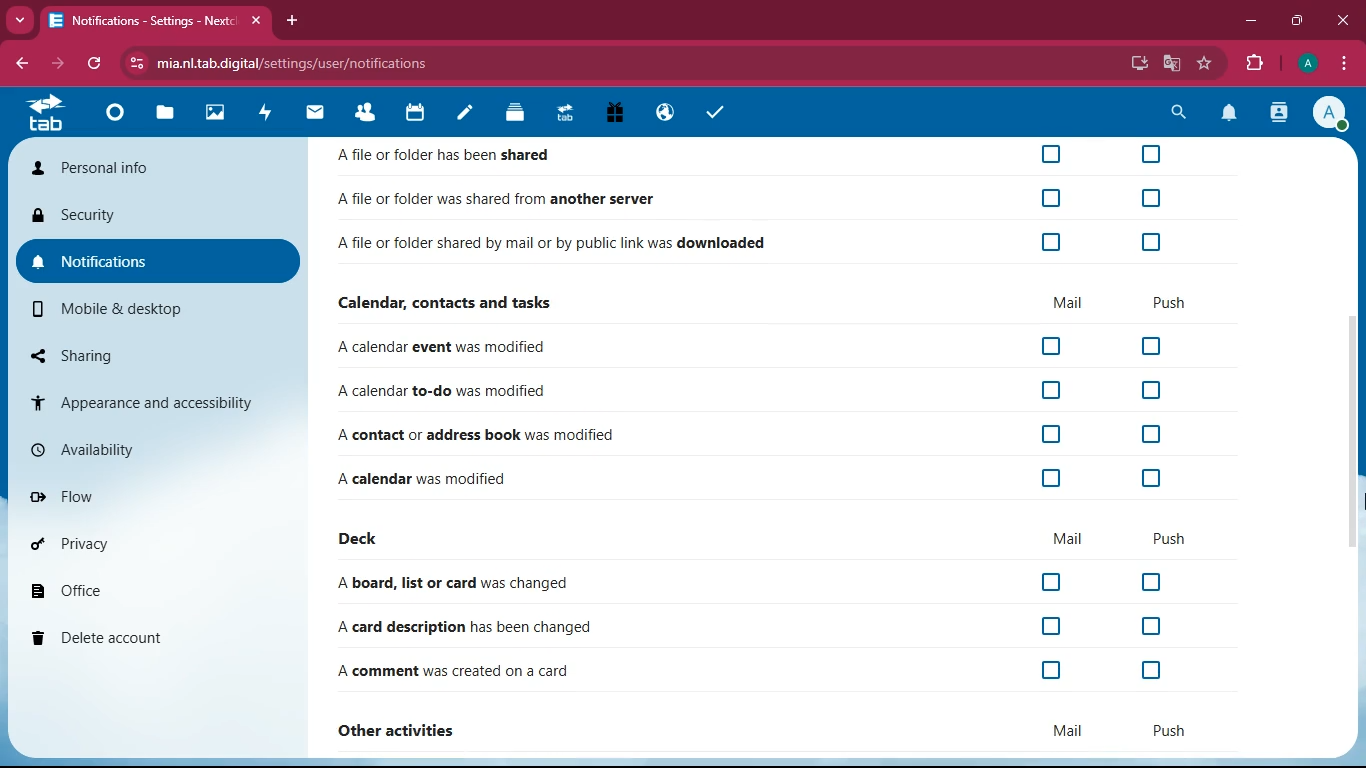 Image resolution: width=1366 pixels, height=768 pixels. What do you see at coordinates (459, 393) in the screenshot?
I see `A calendar to-do was modified` at bounding box center [459, 393].